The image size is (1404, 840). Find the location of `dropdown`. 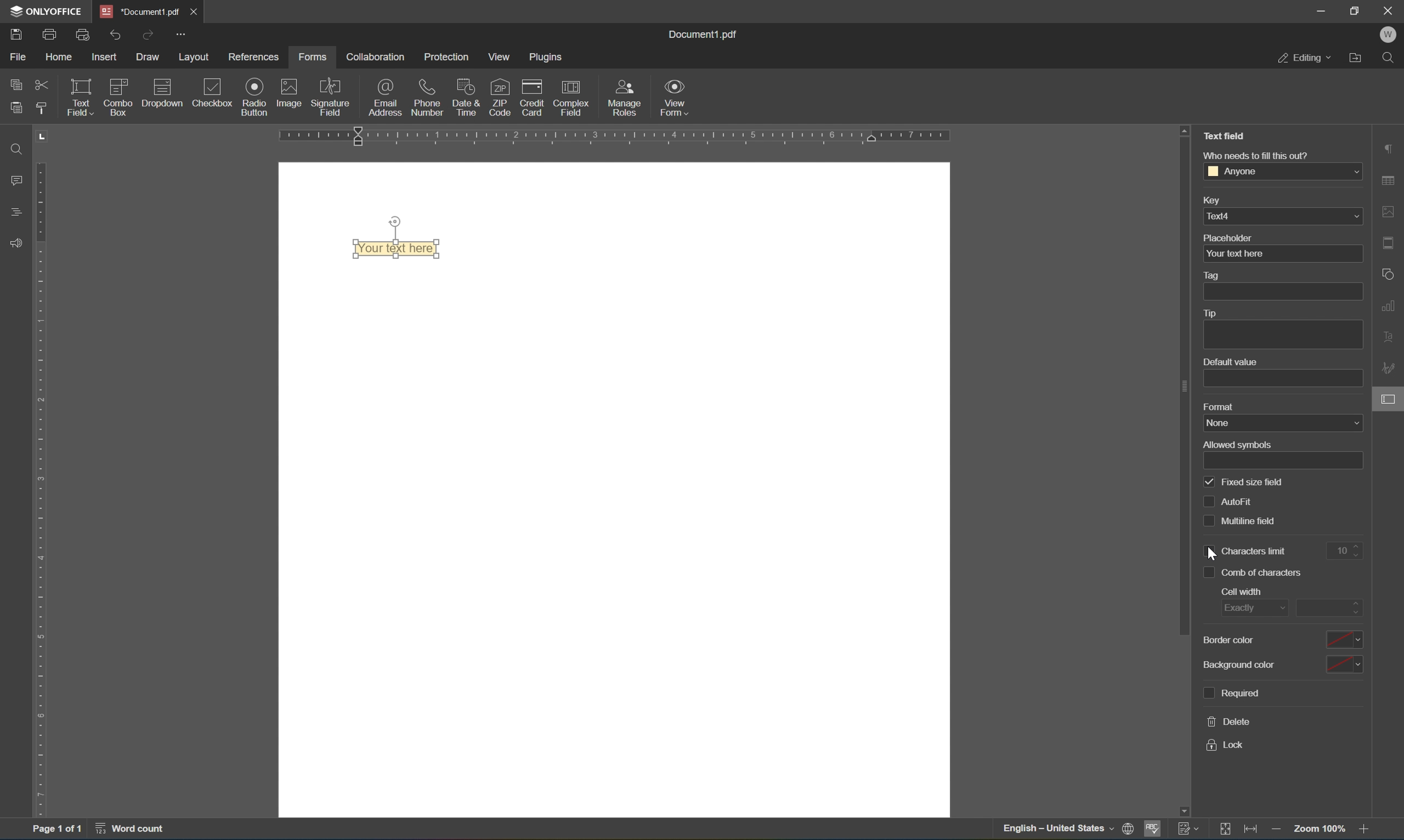

dropdown is located at coordinates (164, 90).